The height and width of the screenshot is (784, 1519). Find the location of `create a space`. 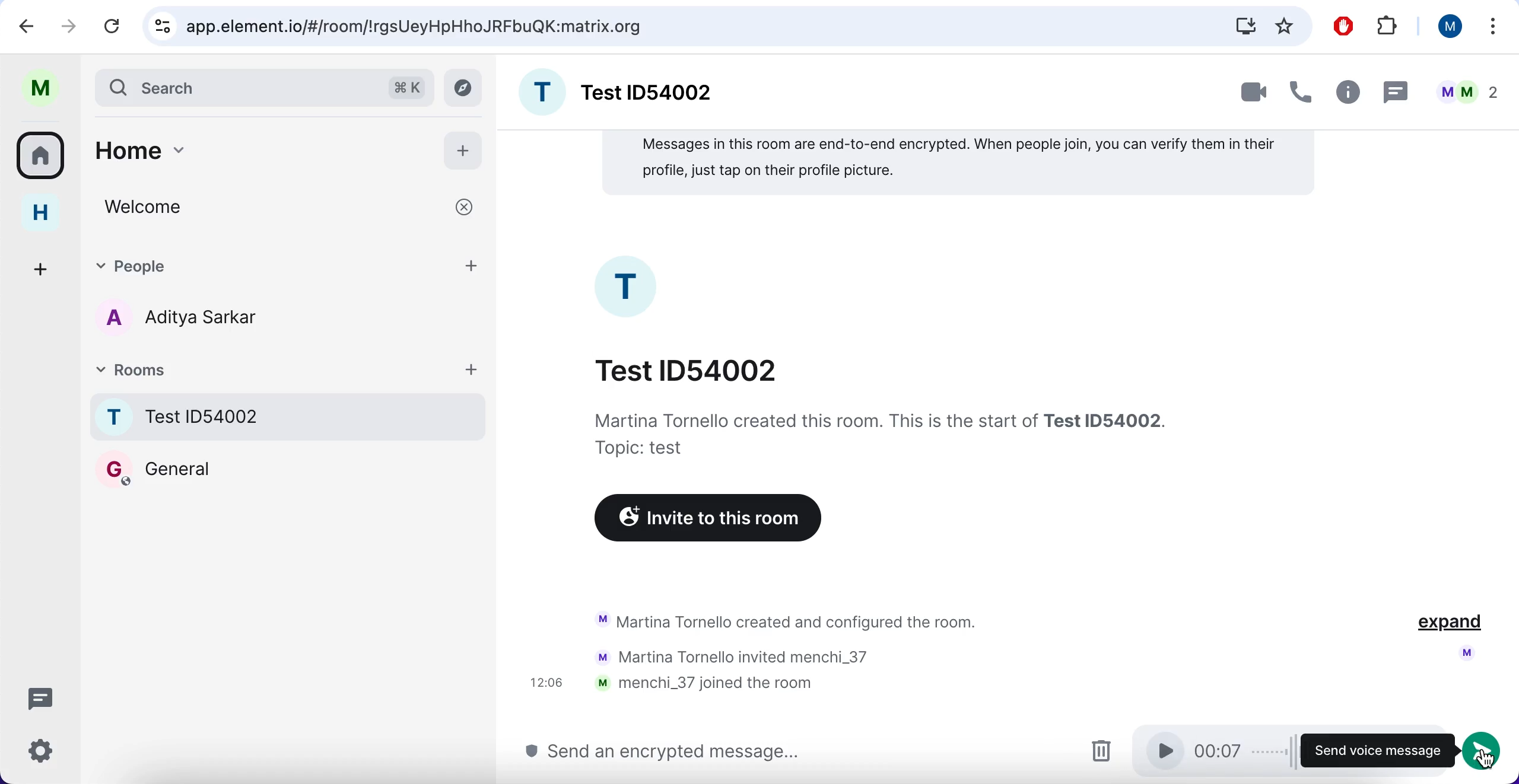

create a space is located at coordinates (43, 268).